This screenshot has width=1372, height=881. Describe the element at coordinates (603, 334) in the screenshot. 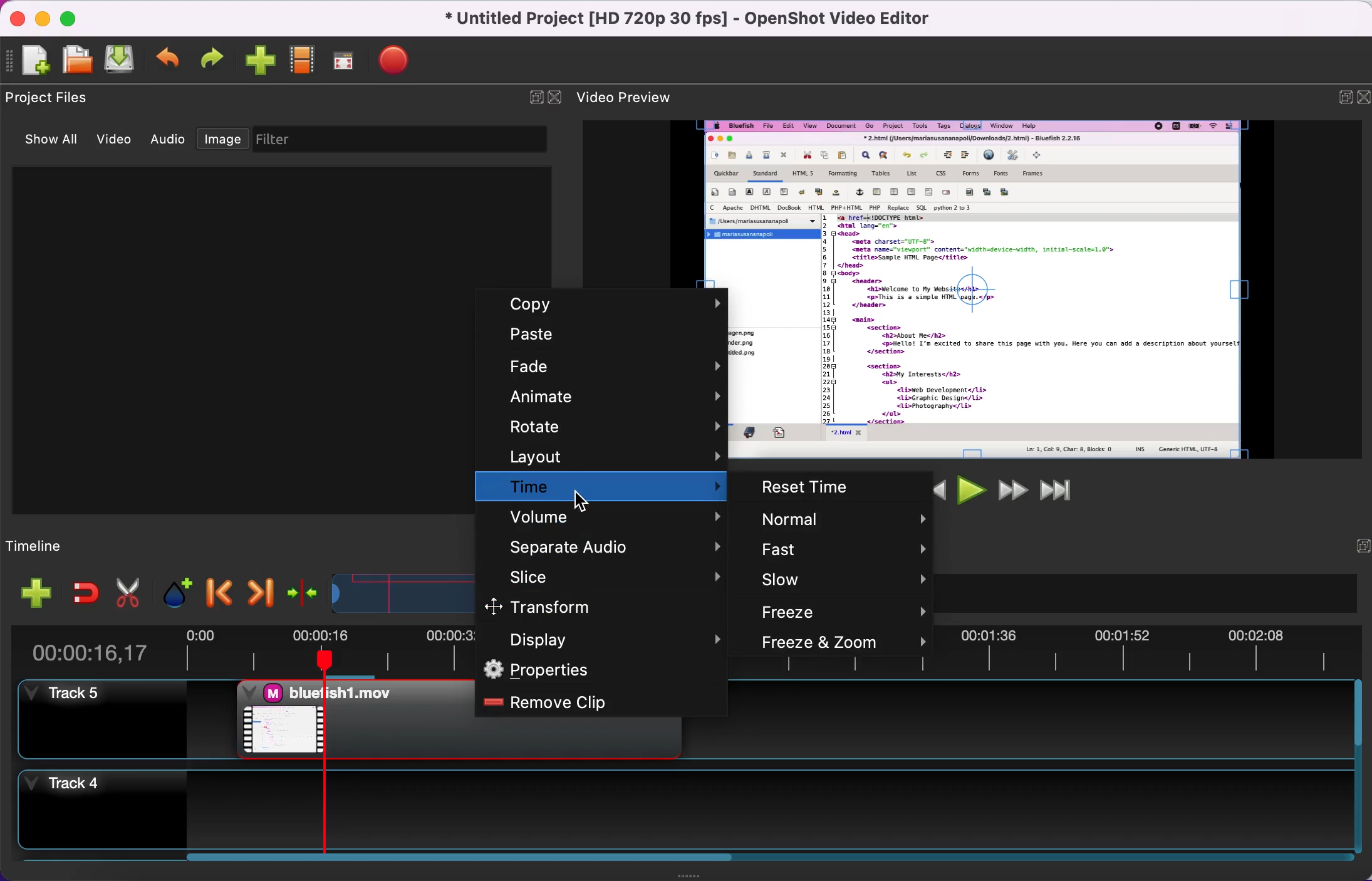

I see `paste` at that location.